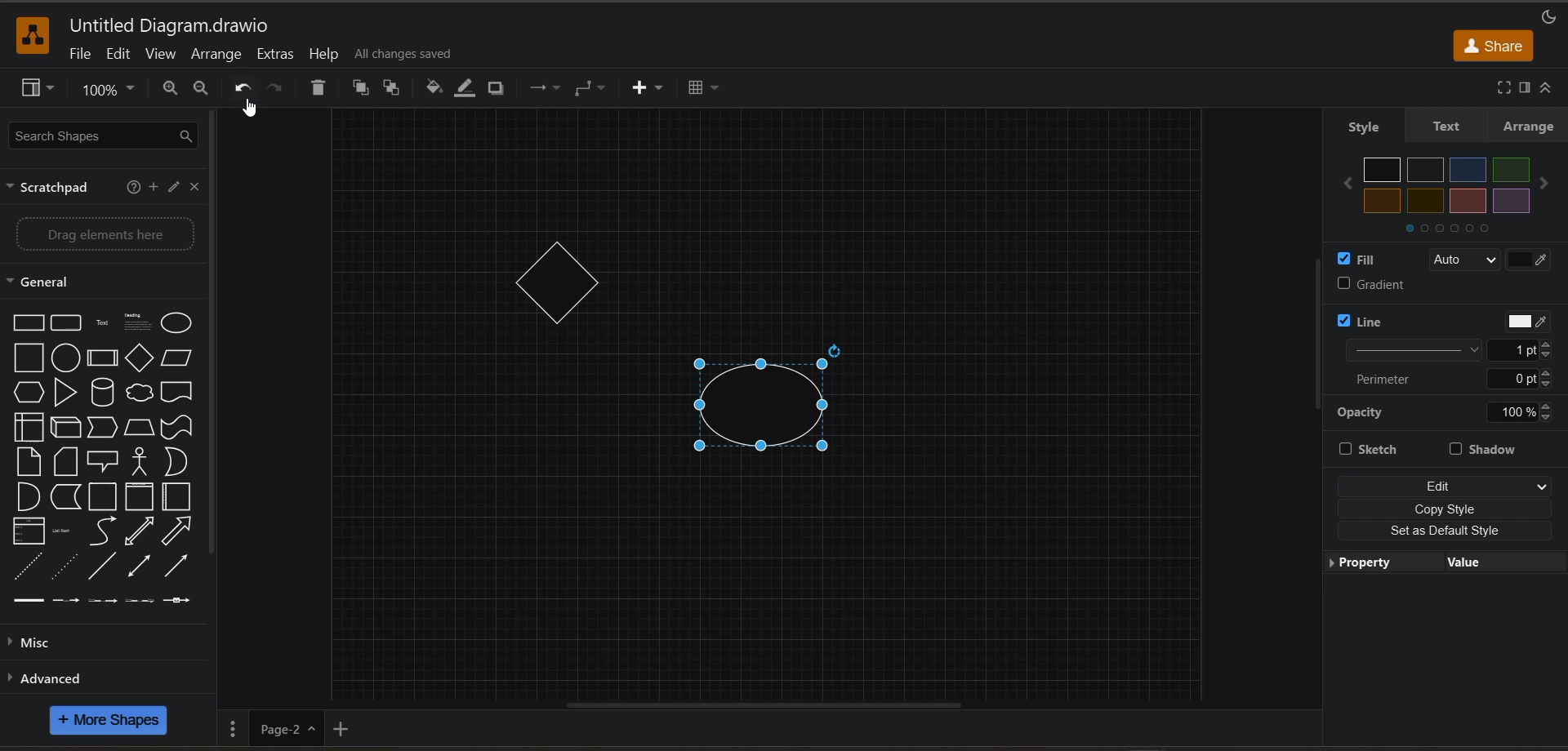 The image size is (1568, 751). What do you see at coordinates (139, 497) in the screenshot?
I see `Vertical Container` at bounding box center [139, 497].